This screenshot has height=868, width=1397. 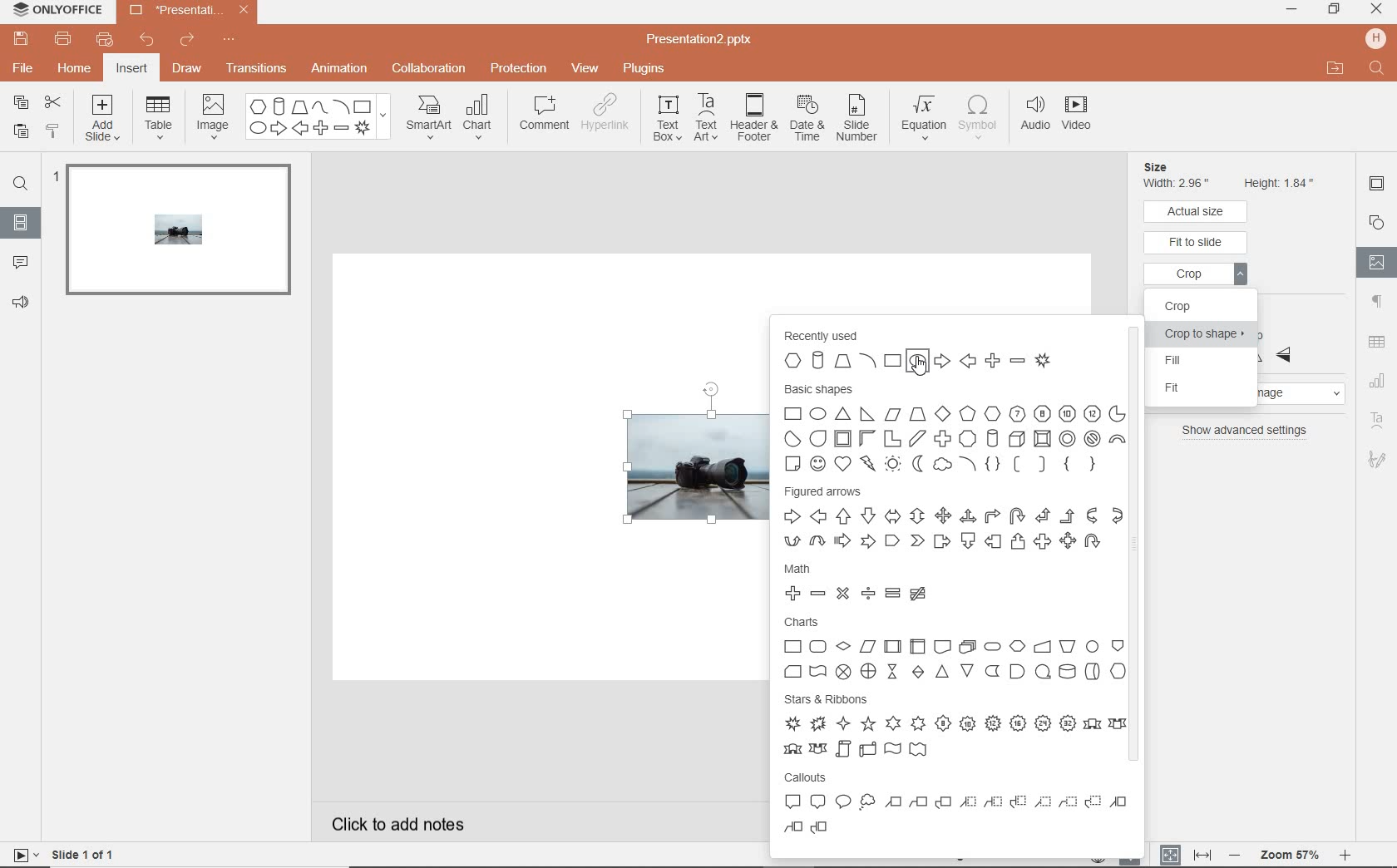 What do you see at coordinates (1205, 362) in the screenshot?
I see `fill` at bounding box center [1205, 362].